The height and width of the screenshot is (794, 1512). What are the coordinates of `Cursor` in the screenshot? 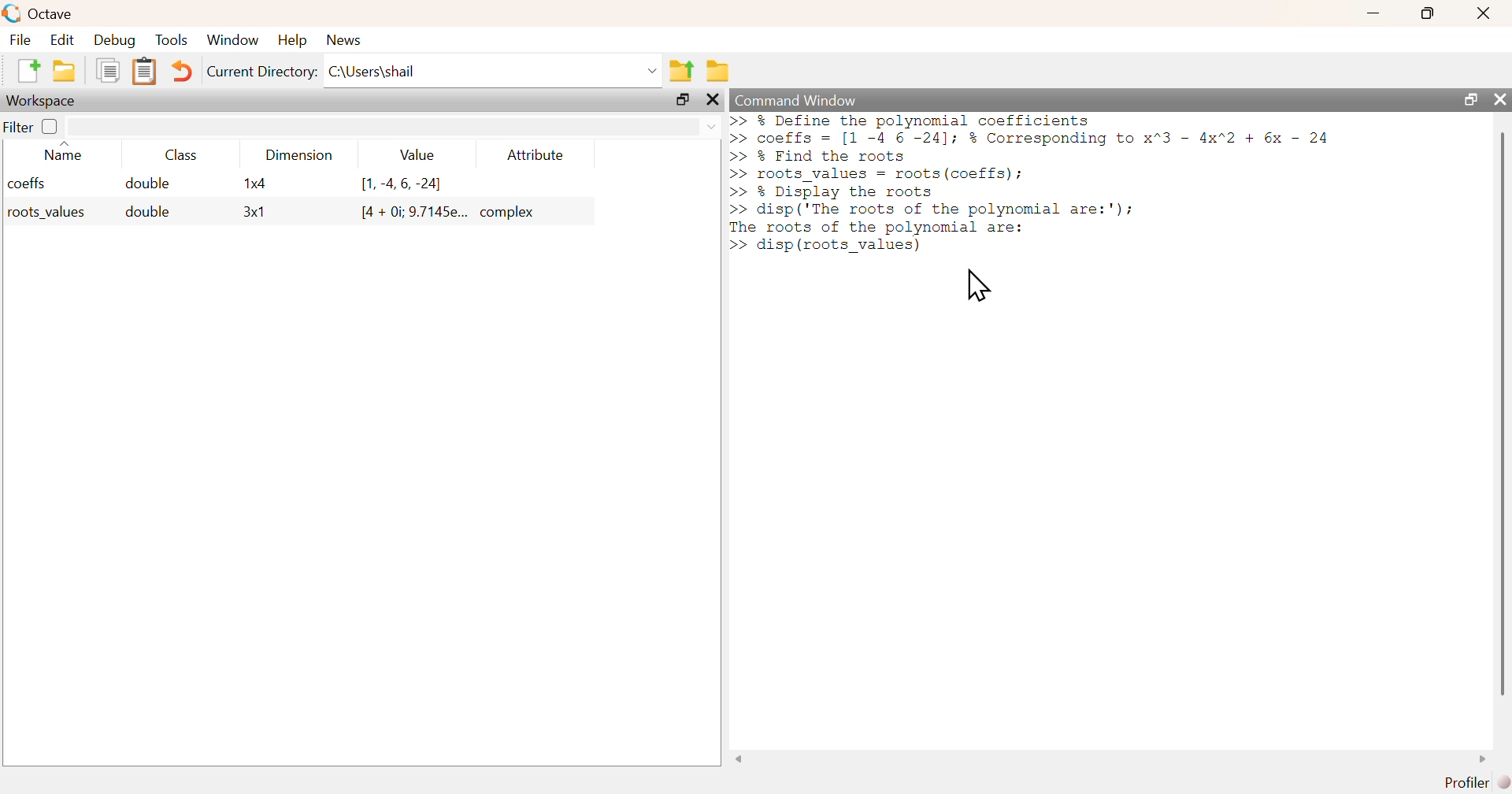 It's located at (983, 286).